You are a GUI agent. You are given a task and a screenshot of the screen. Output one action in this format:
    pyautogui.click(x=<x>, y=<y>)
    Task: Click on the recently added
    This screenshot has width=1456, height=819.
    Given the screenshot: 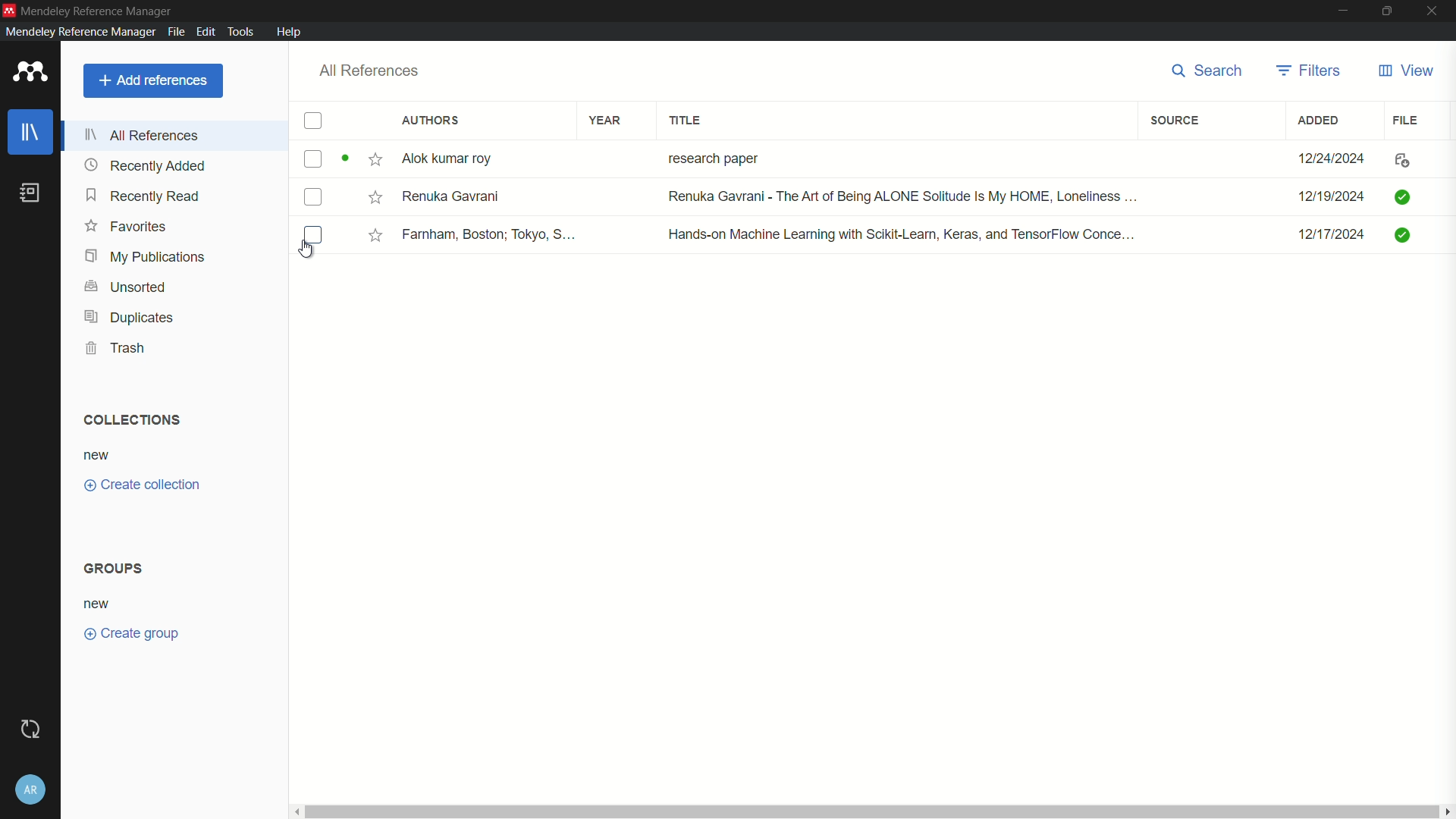 What is the action you would take?
    pyautogui.click(x=145, y=165)
    